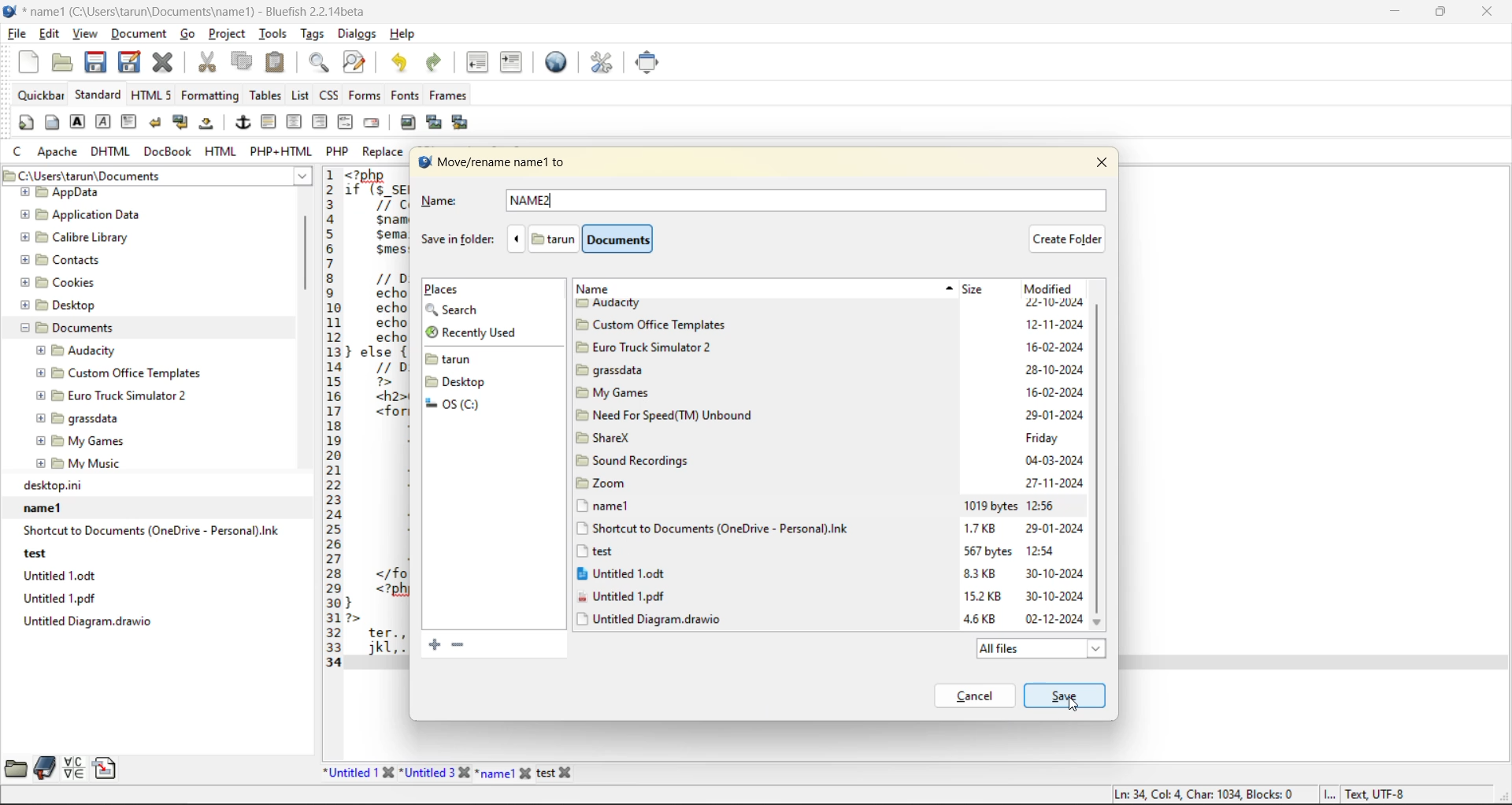  I want to click on apache, so click(59, 152).